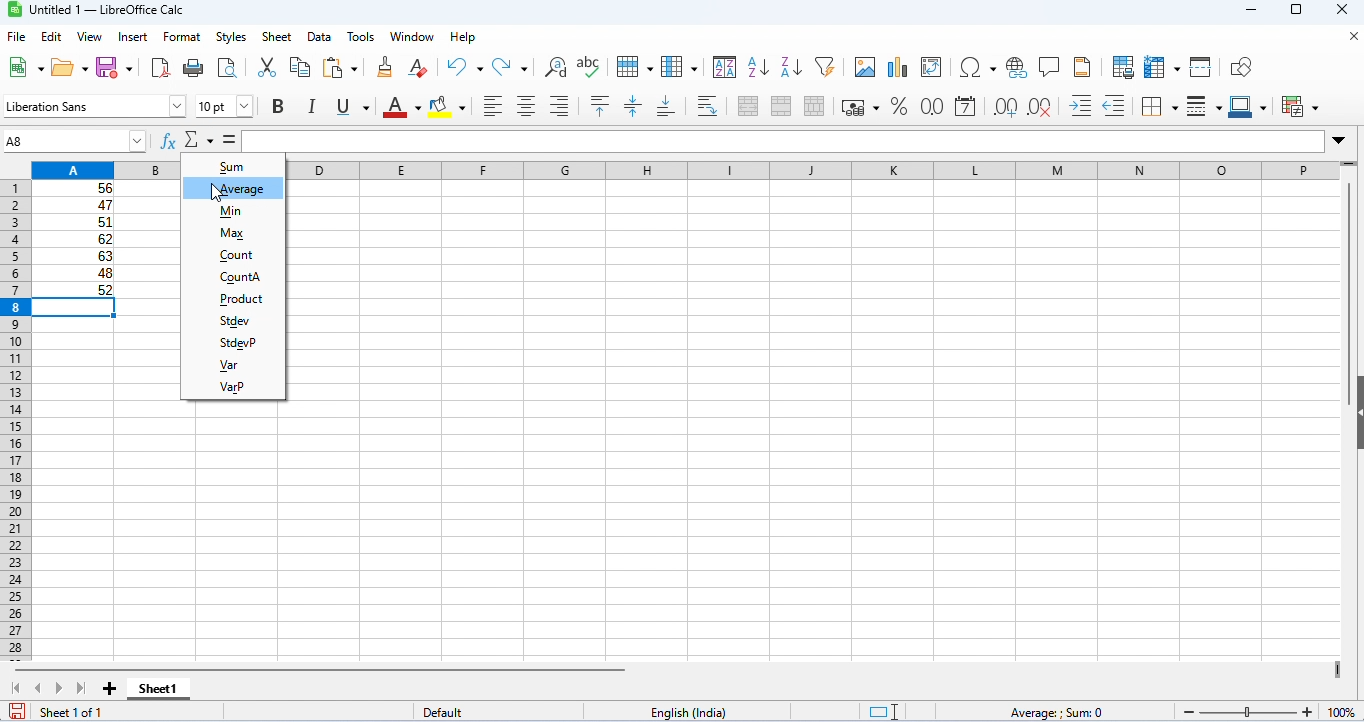 This screenshot has width=1364, height=722. Describe the element at coordinates (81, 688) in the screenshot. I see `last sheet` at that location.